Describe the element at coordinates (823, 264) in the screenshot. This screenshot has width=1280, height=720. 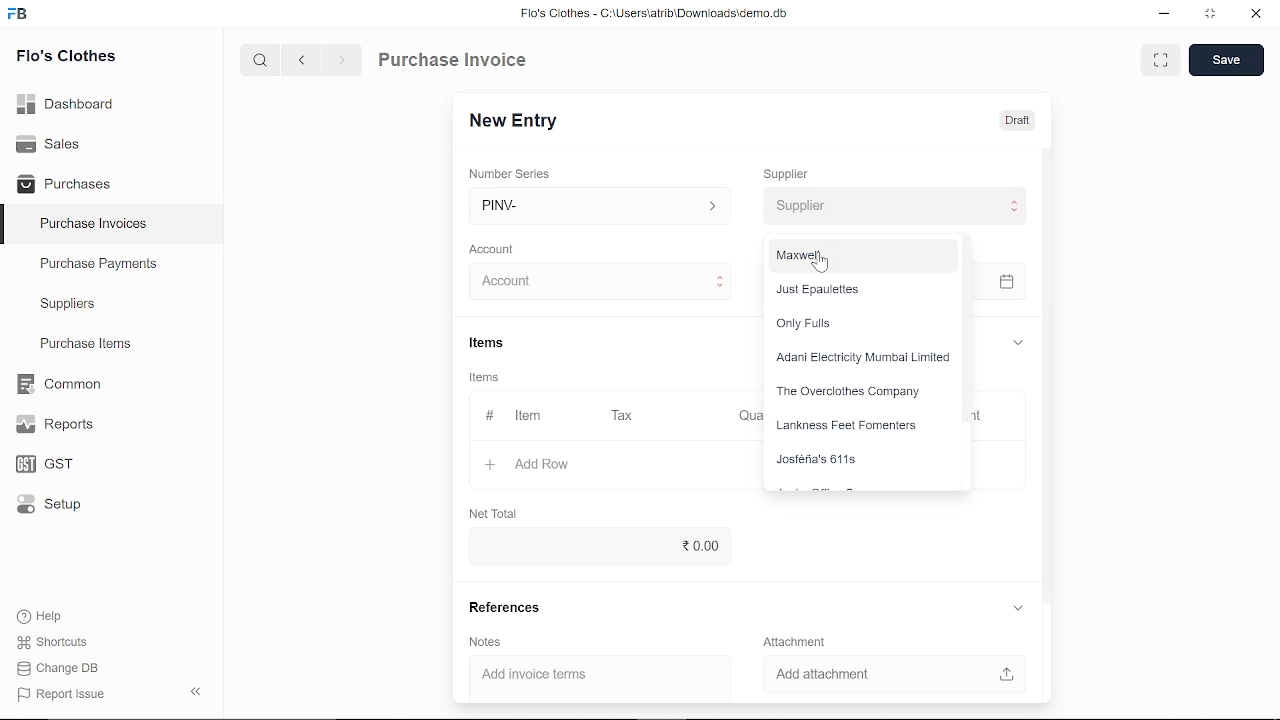
I see `cursor` at that location.